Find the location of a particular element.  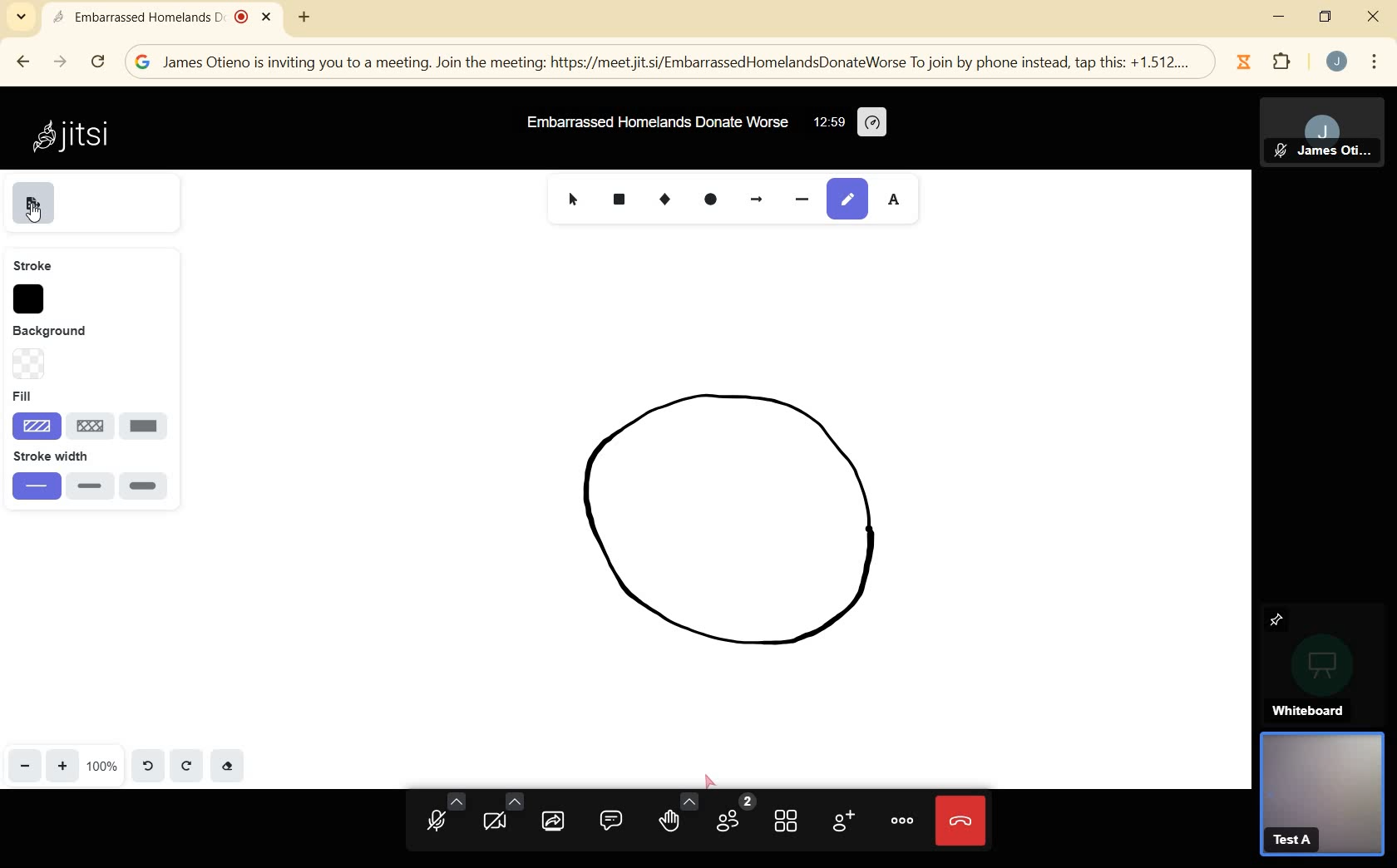

RELOAD is located at coordinates (97, 62).